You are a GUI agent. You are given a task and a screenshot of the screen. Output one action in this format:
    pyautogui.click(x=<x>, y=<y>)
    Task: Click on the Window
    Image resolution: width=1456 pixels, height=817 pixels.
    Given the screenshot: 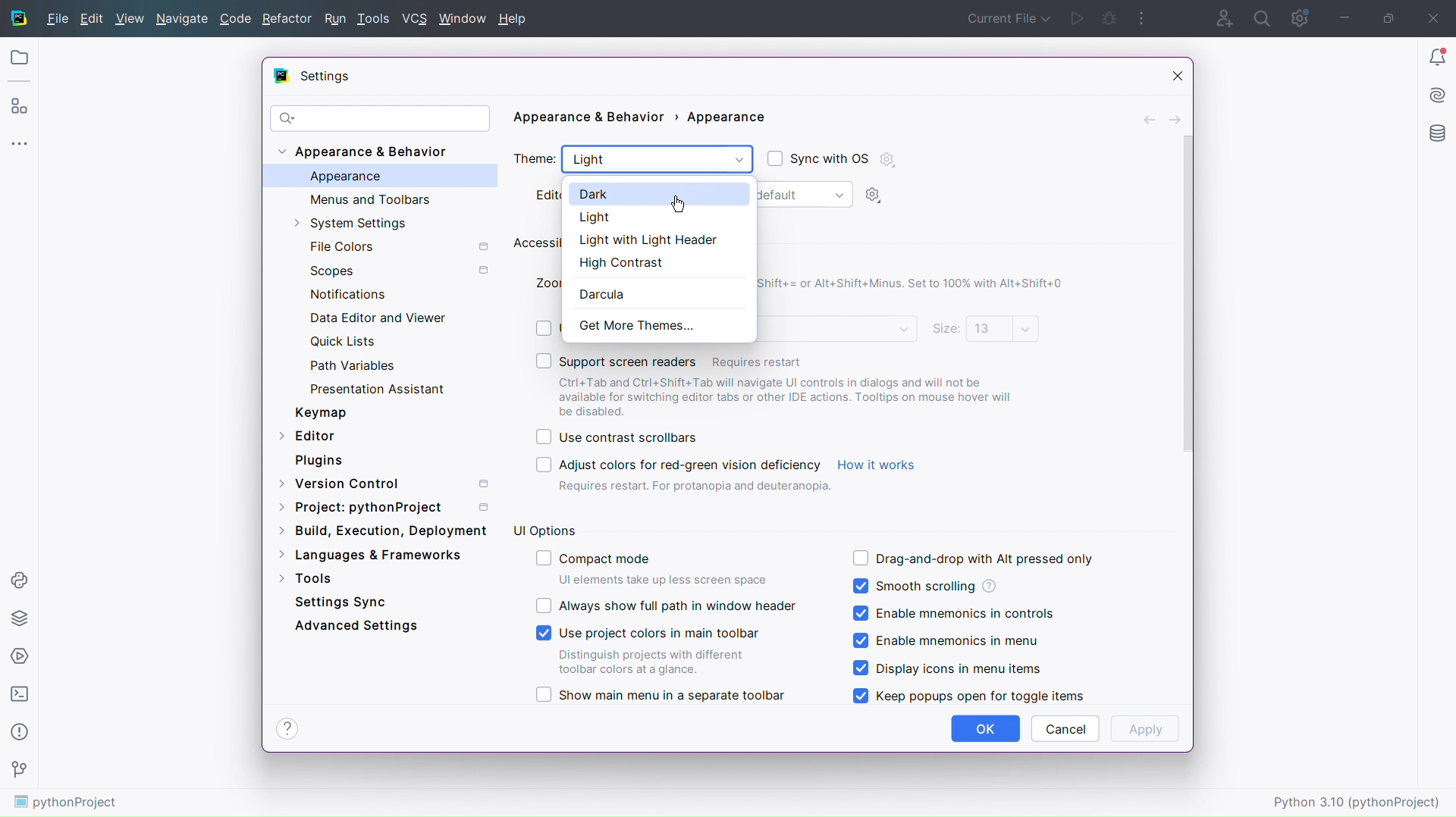 What is the action you would take?
    pyautogui.click(x=464, y=17)
    